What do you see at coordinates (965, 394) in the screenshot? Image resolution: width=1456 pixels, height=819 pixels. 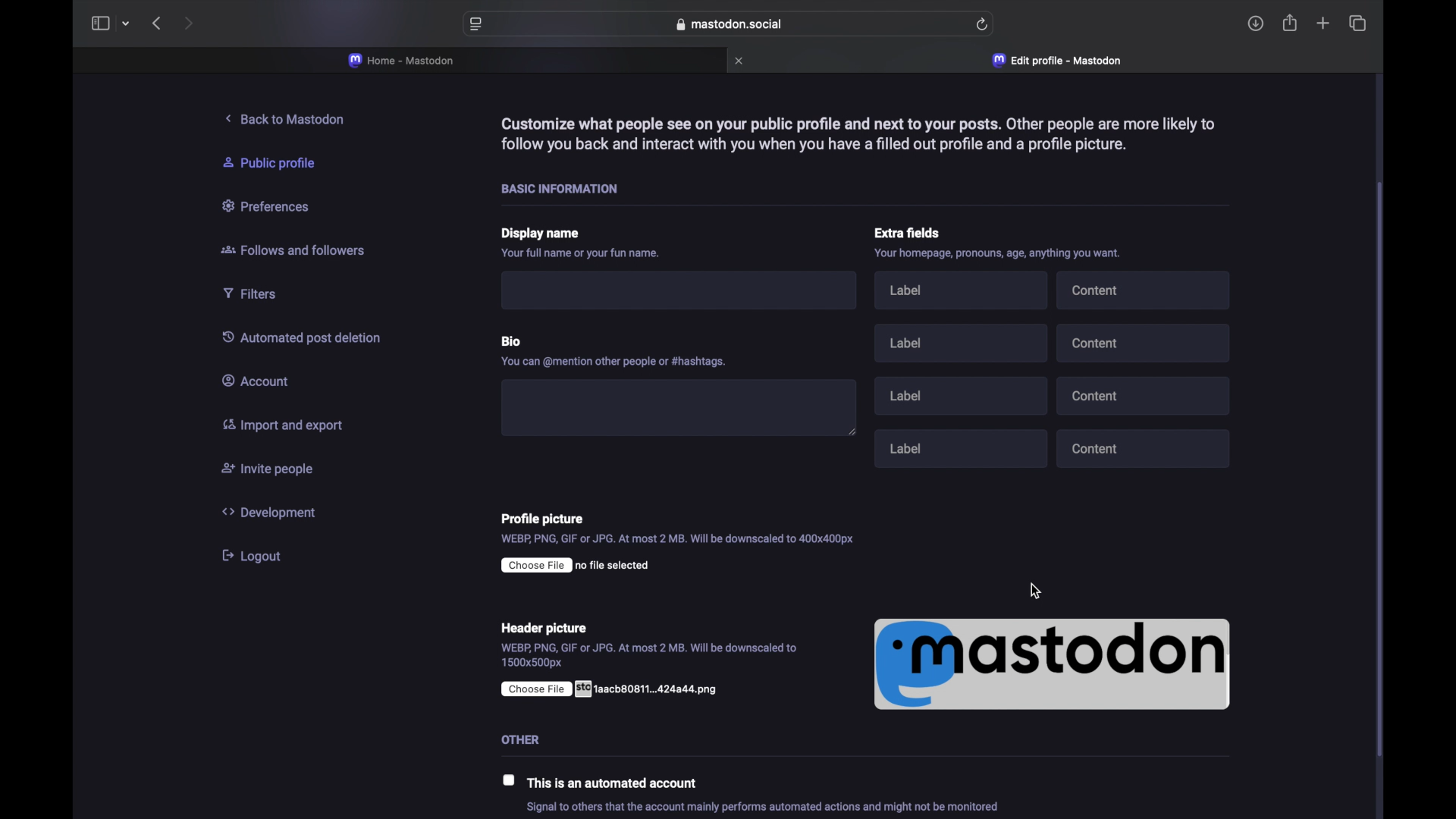 I see `label` at bounding box center [965, 394].